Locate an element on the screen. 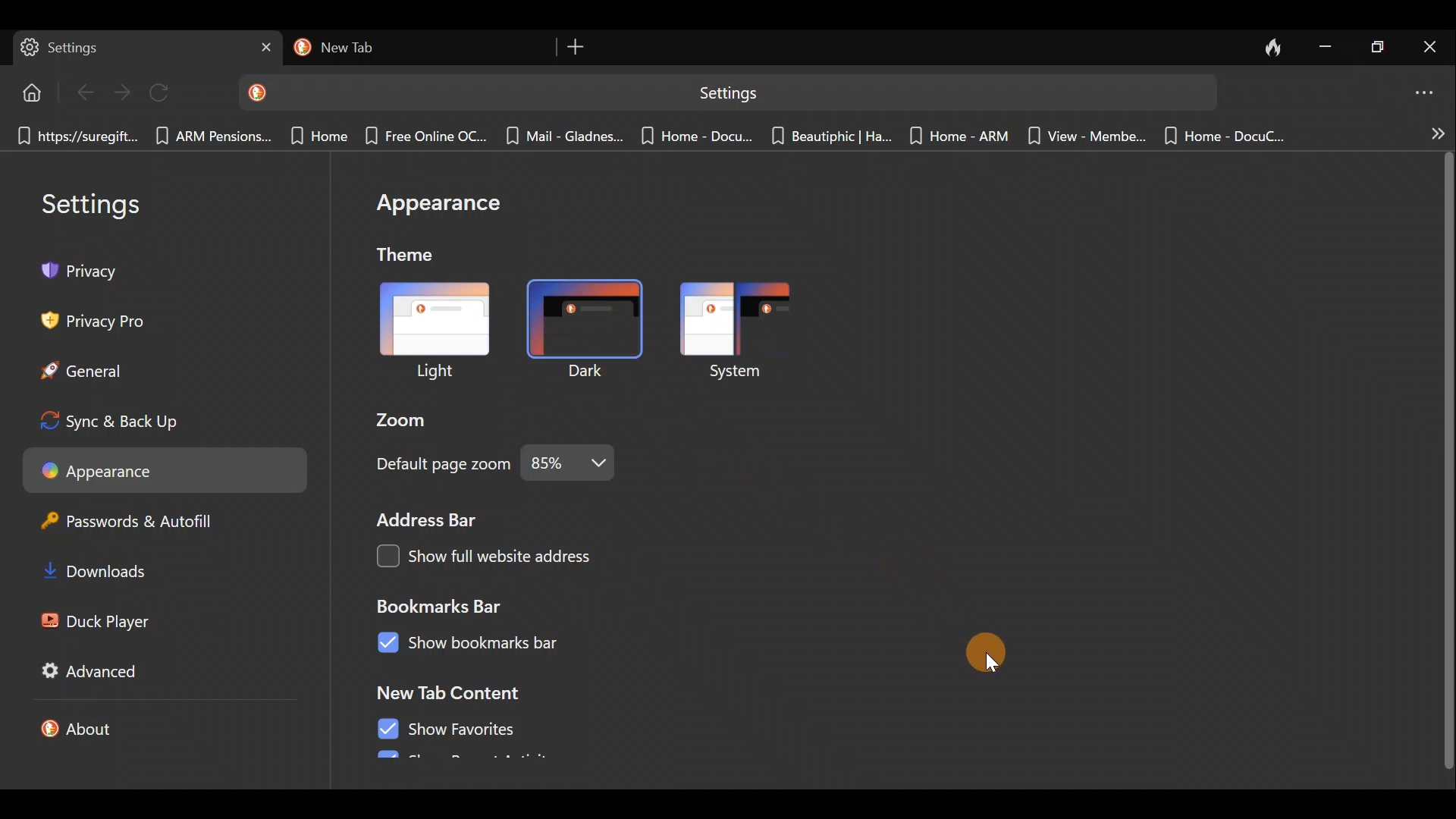 The width and height of the screenshot is (1456, 819). Bookmarks bar is located at coordinates (451, 605).